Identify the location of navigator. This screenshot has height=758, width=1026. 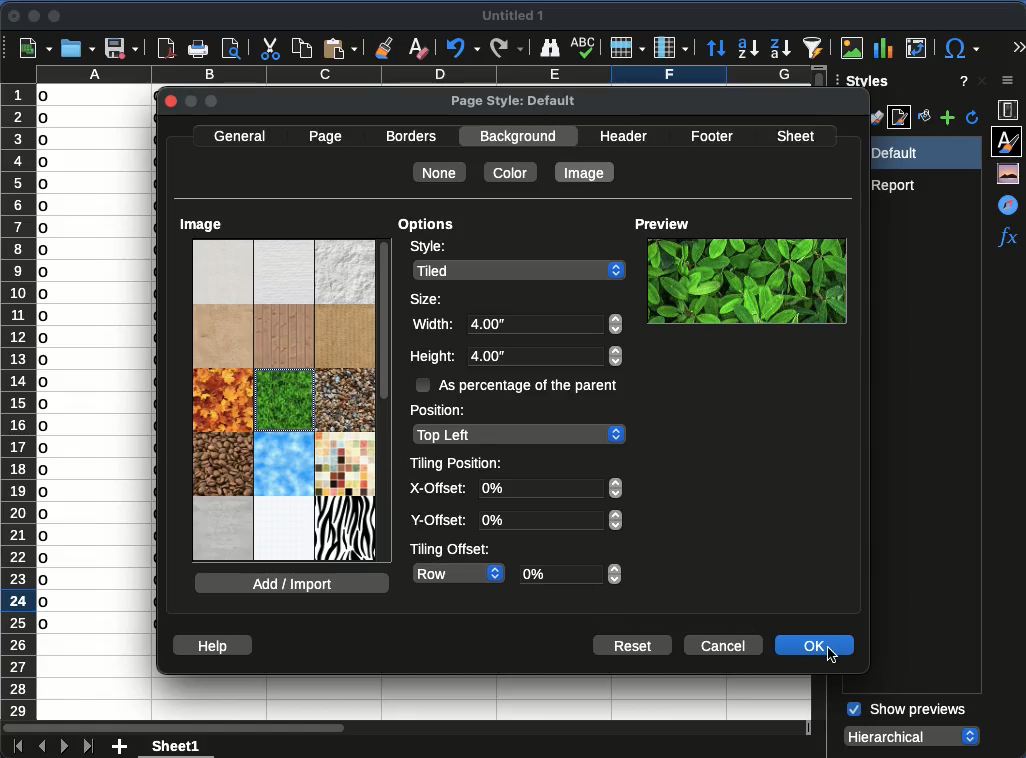
(1007, 204).